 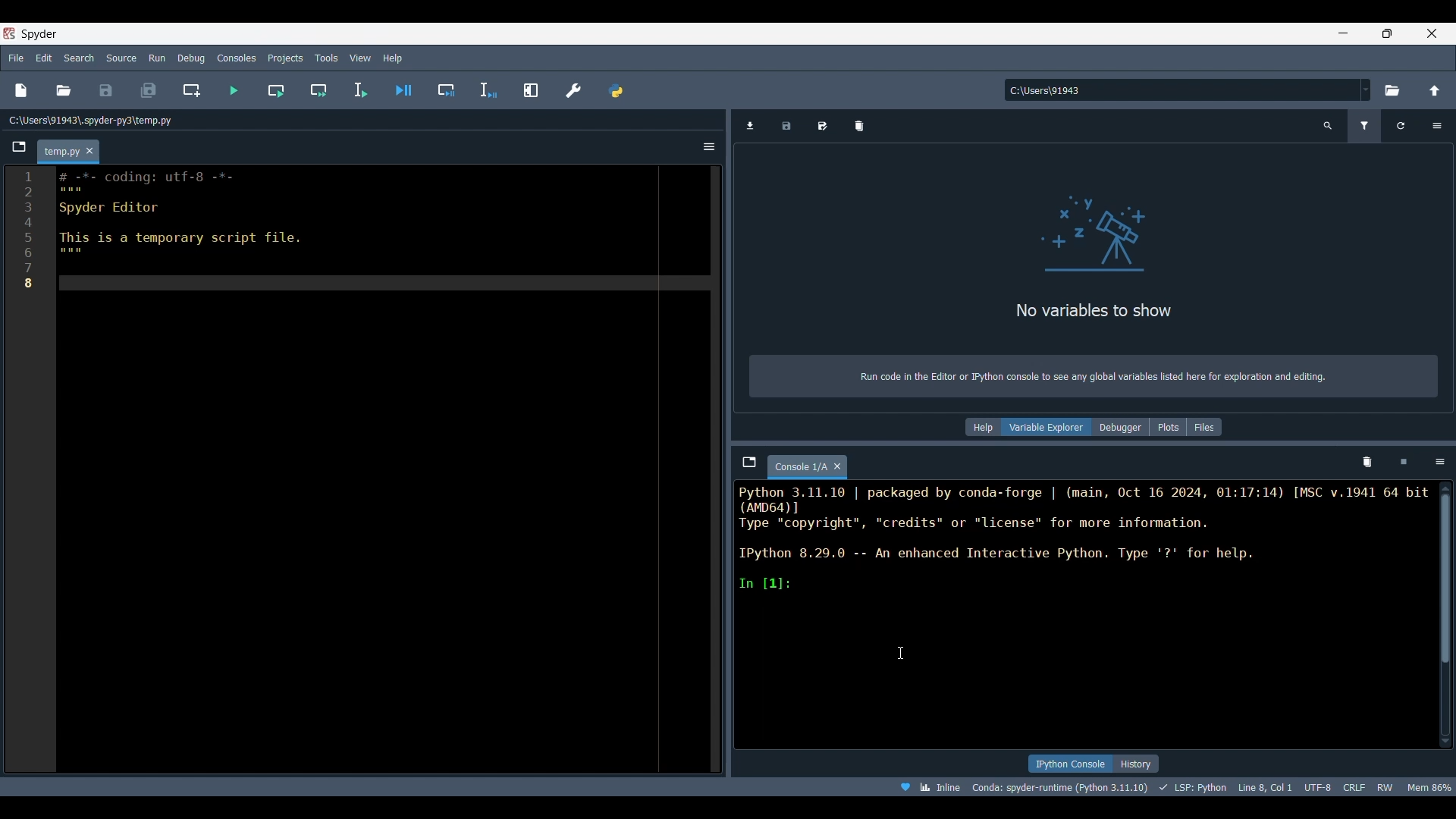 I want to click on Debugger, so click(x=1120, y=427).